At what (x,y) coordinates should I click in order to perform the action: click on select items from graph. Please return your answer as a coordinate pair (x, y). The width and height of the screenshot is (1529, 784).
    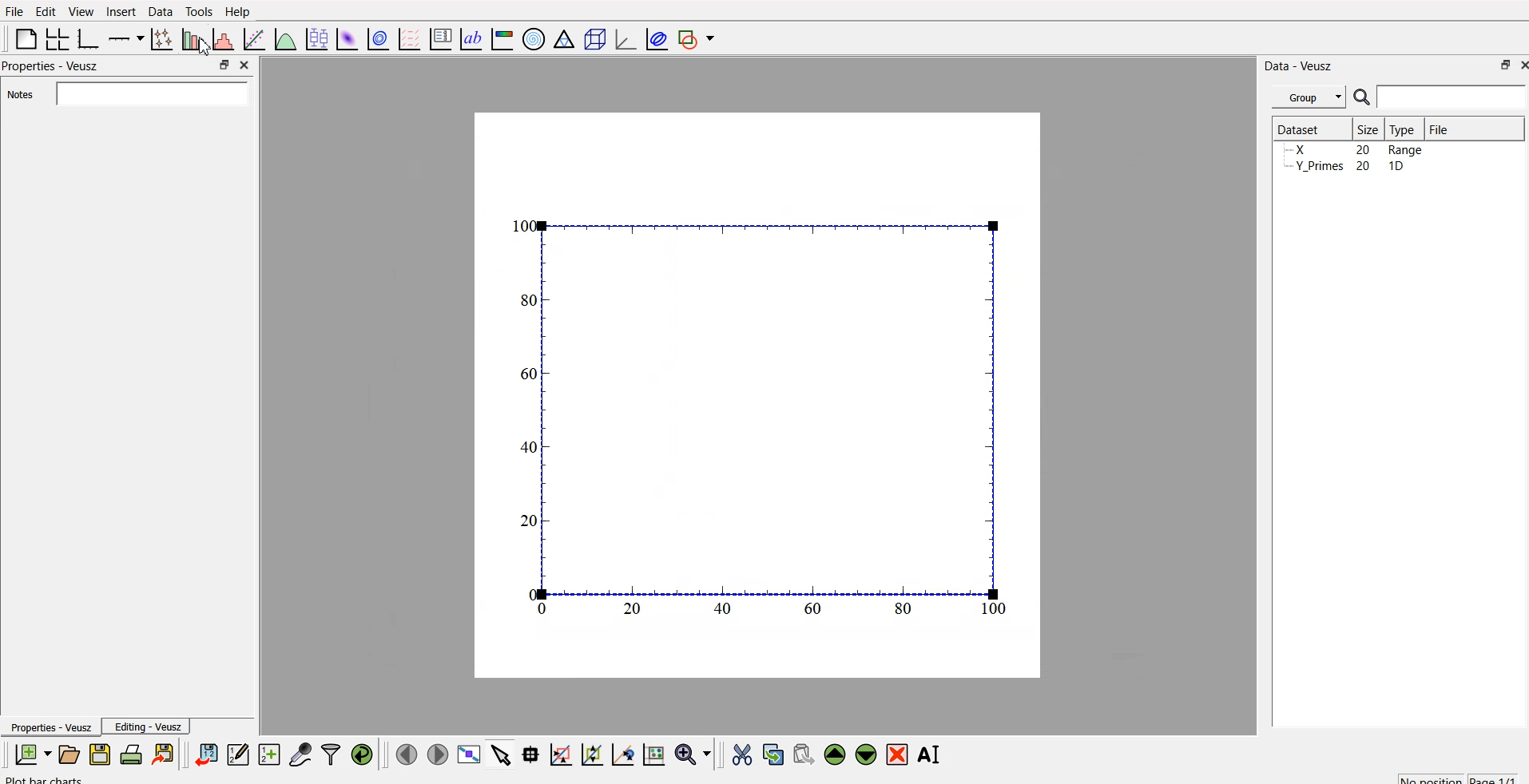
    Looking at the image, I should click on (502, 754).